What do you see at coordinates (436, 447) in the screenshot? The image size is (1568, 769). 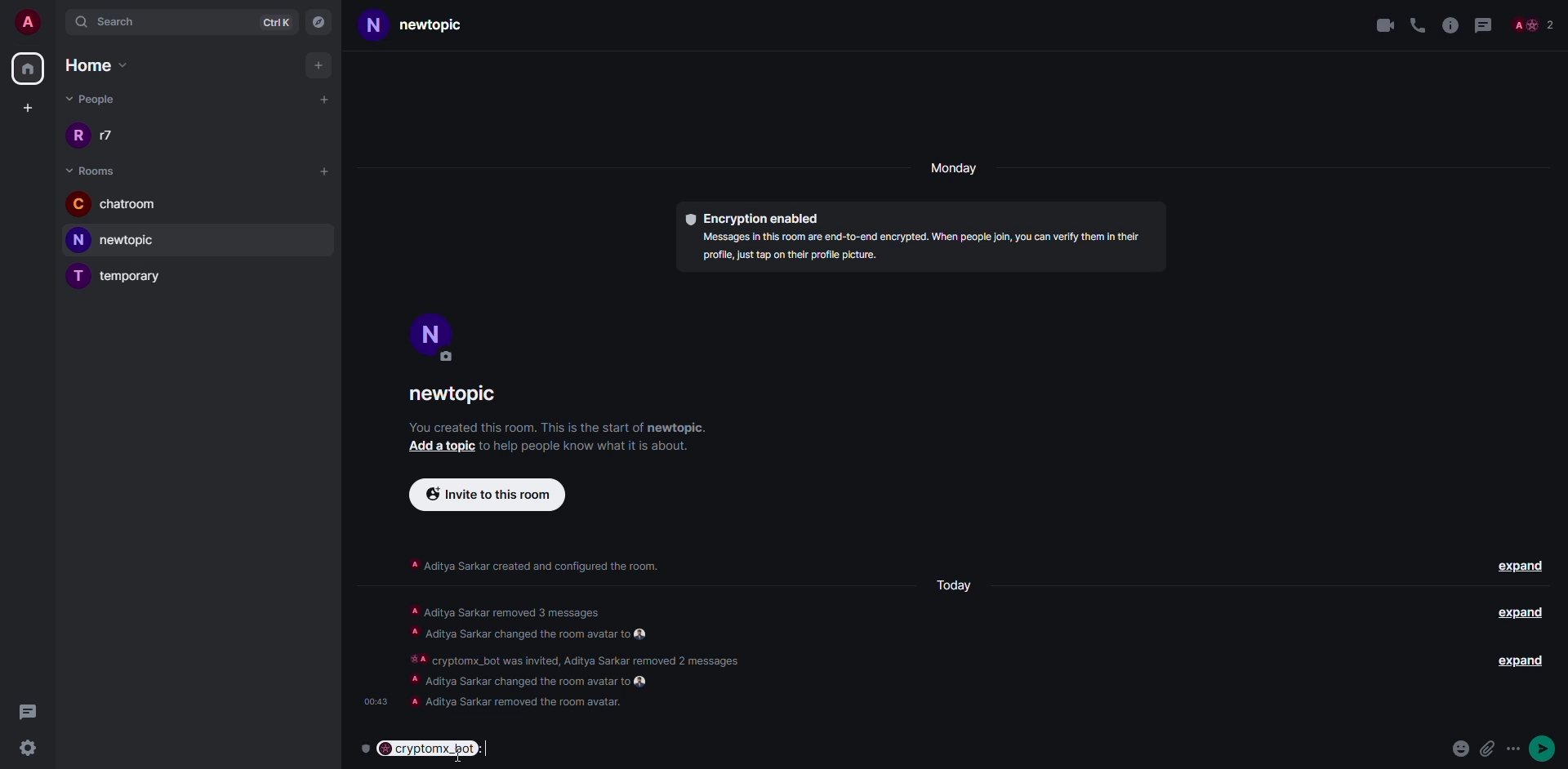 I see `add topic` at bounding box center [436, 447].